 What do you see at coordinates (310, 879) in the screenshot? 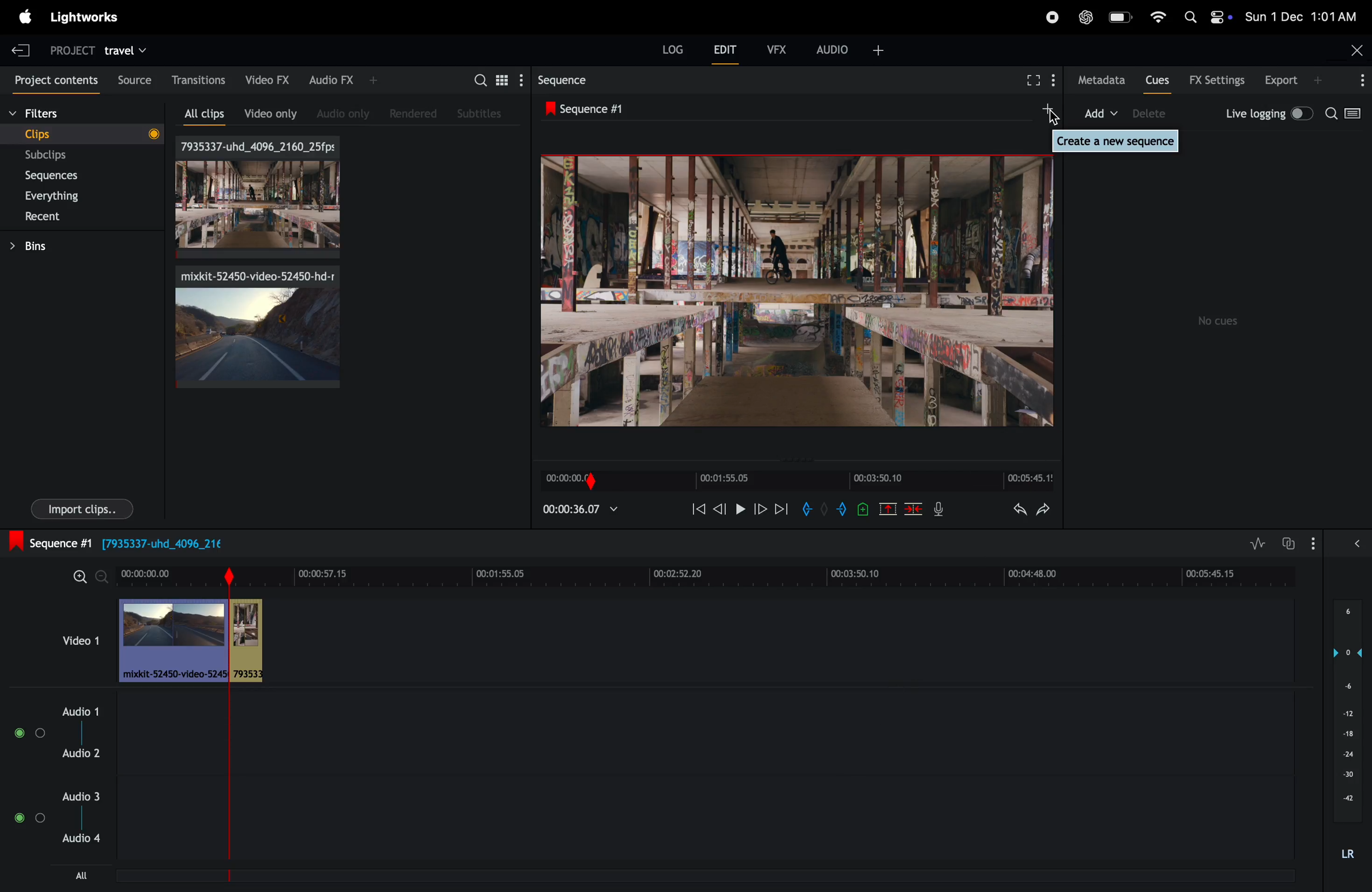
I see `Horizontal scroll bar` at bounding box center [310, 879].